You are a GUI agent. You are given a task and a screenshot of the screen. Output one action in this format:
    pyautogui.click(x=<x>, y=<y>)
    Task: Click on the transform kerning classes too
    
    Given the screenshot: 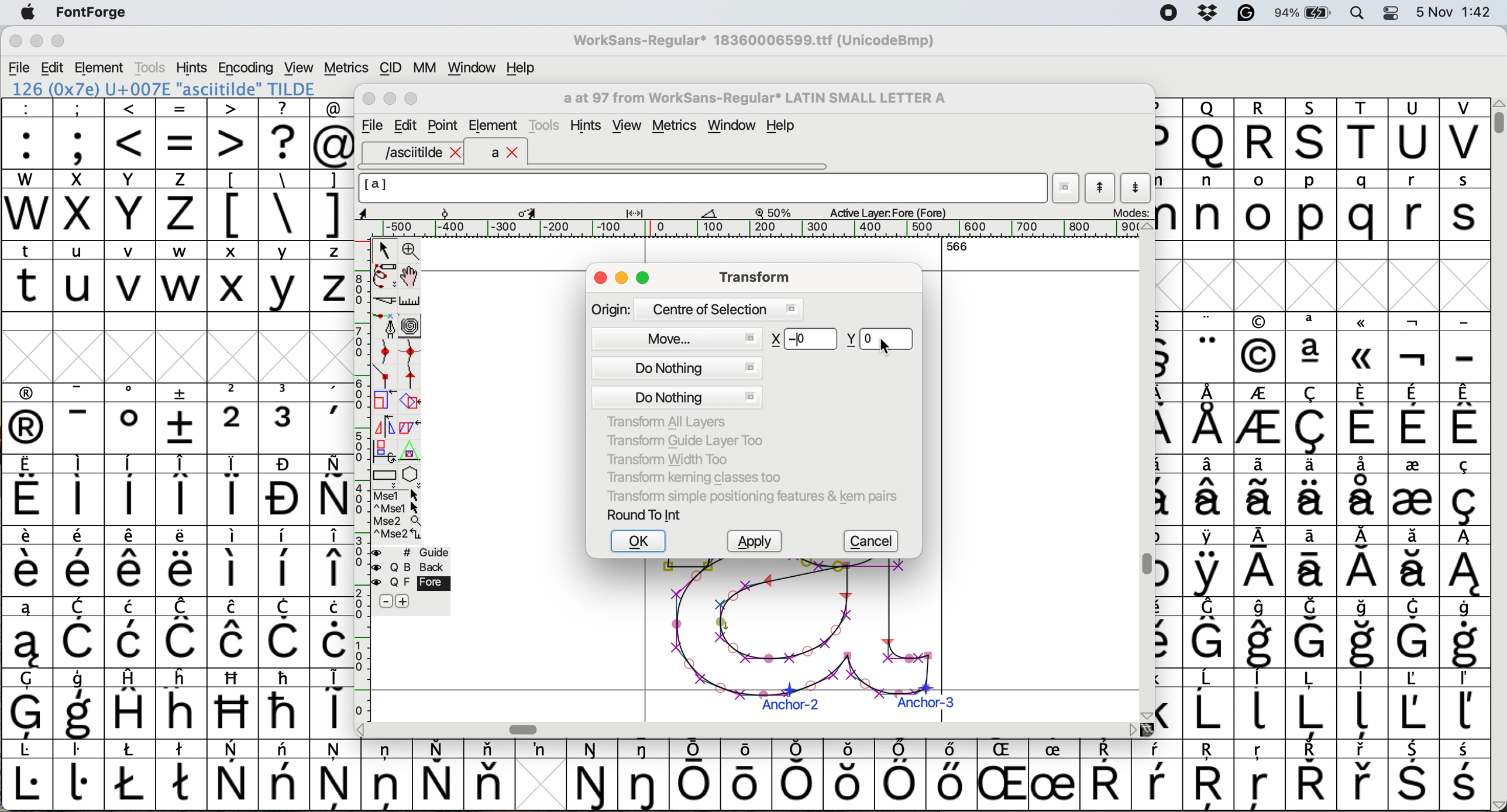 What is the action you would take?
    pyautogui.click(x=694, y=477)
    